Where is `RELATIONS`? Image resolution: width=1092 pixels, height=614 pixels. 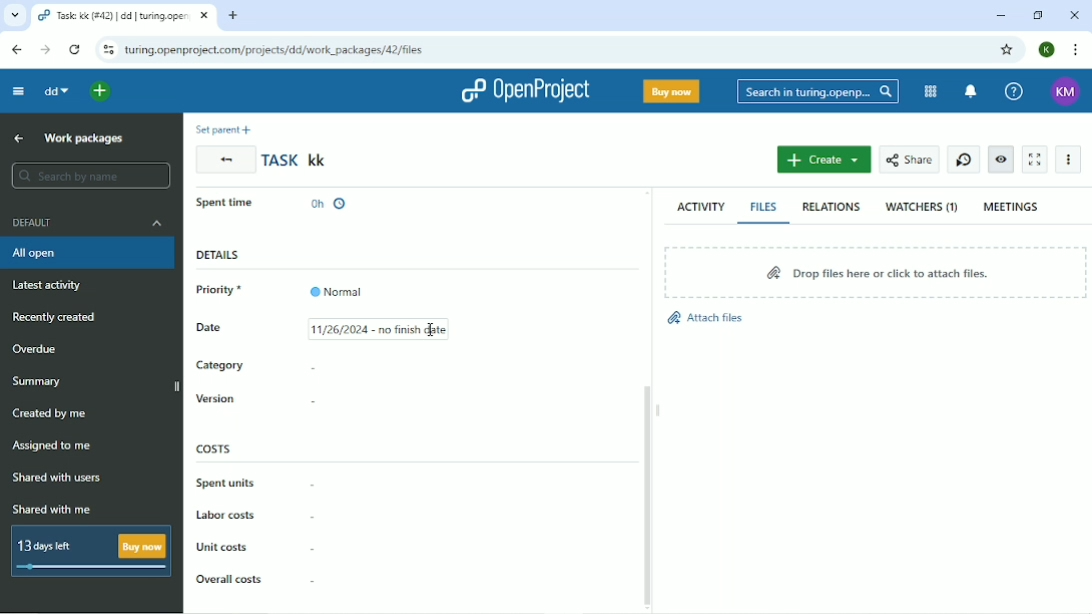 RELATIONS is located at coordinates (829, 206).